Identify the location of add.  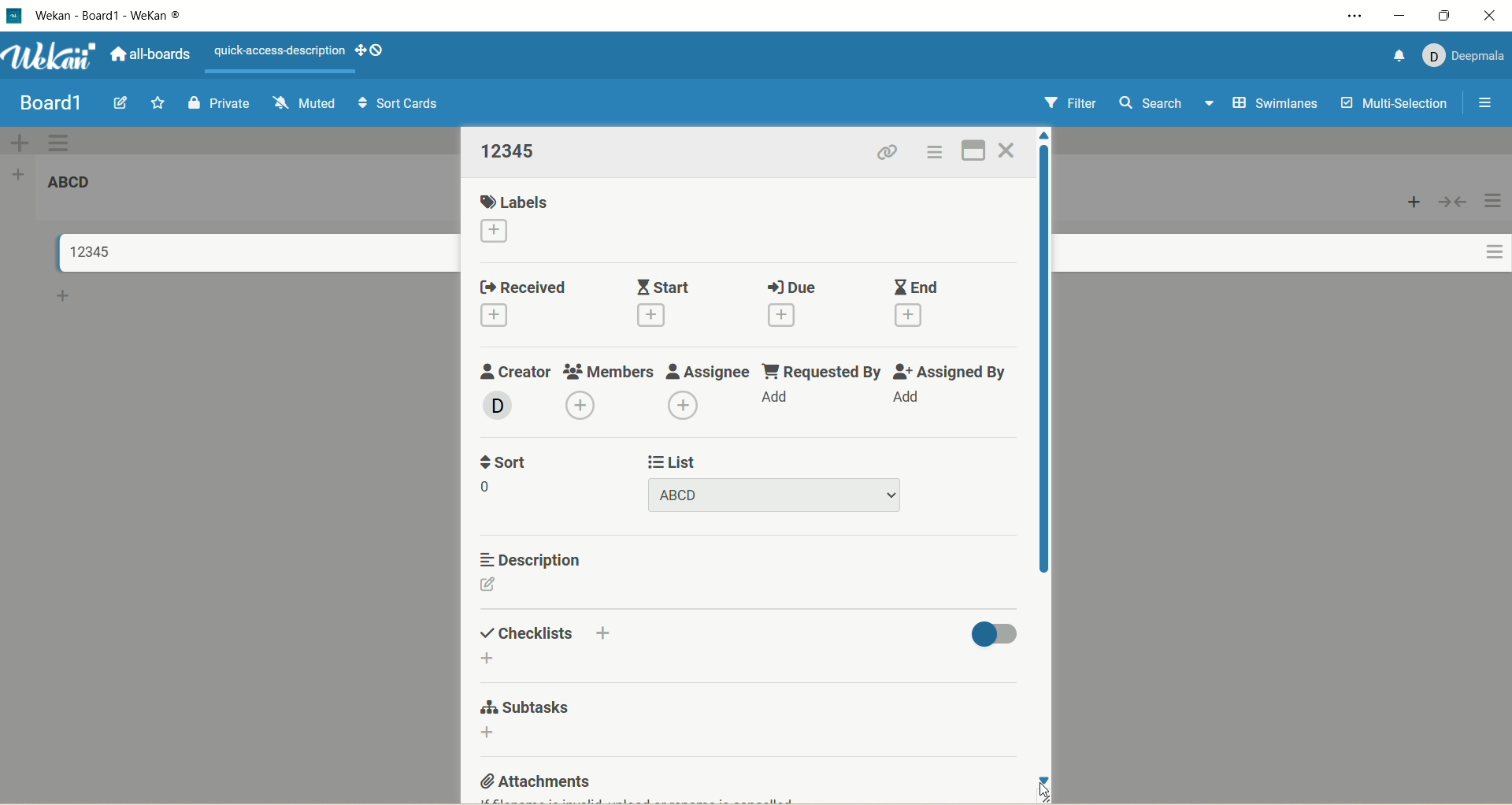
(652, 314).